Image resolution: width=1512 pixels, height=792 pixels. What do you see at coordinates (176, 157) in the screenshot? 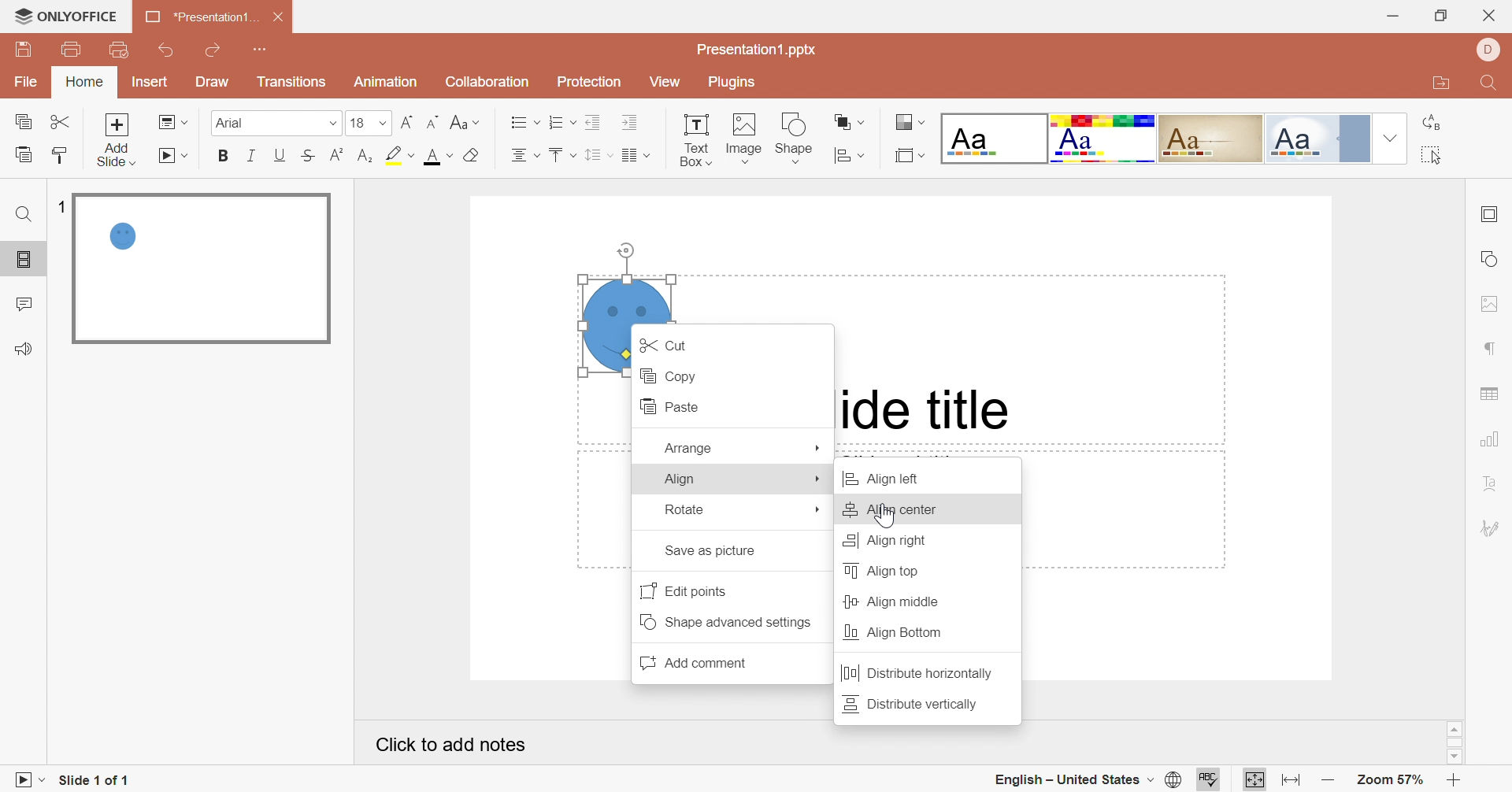
I see `Start slideshow` at bounding box center [176, 157].